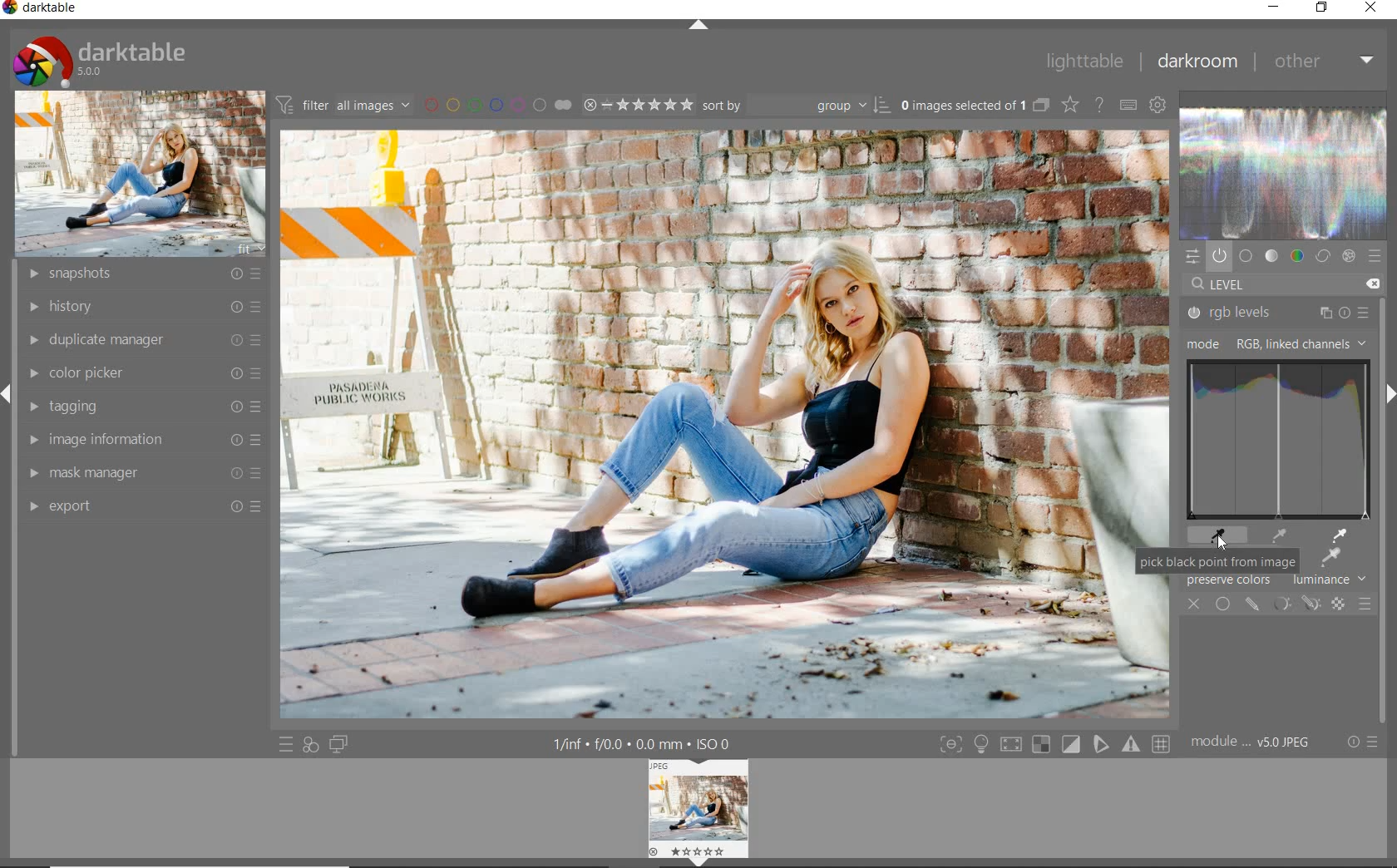 This screenshot has height=868, width=1397. I want to click on DELETE, so click(1373, 284).